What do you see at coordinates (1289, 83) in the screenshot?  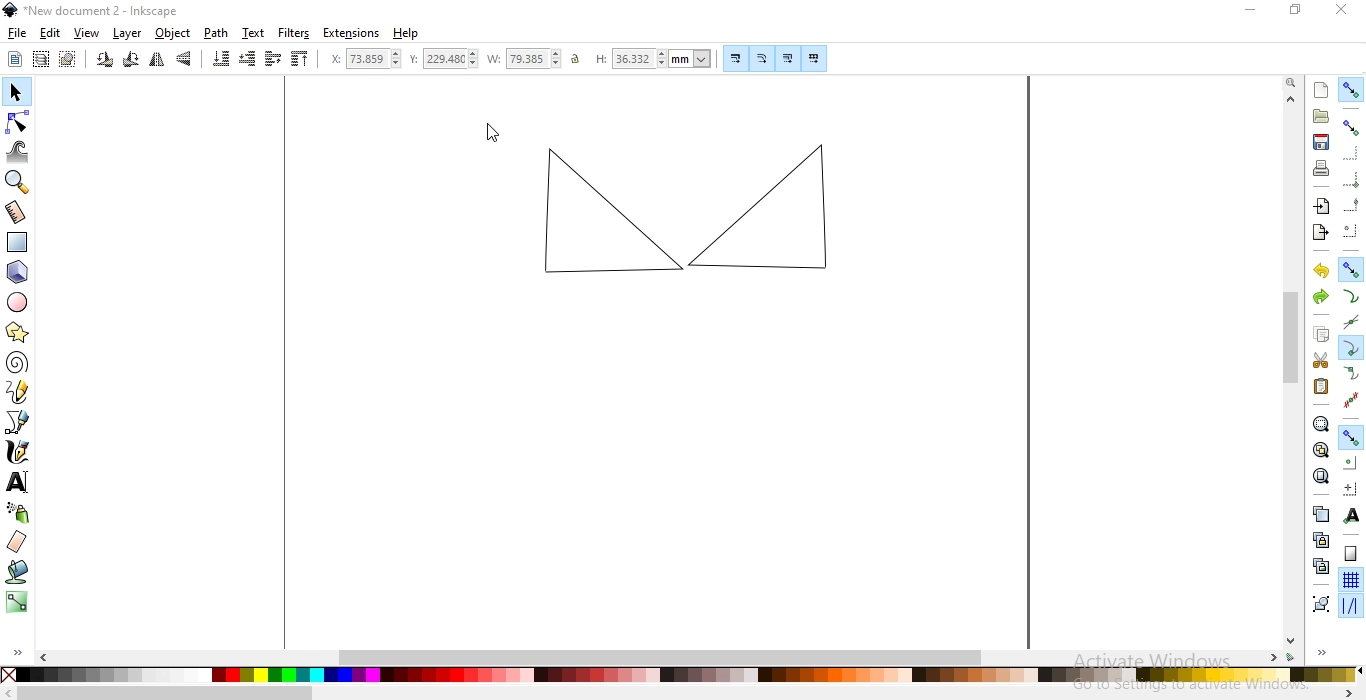 I see `zoom` at bounding box center [1289, 83].